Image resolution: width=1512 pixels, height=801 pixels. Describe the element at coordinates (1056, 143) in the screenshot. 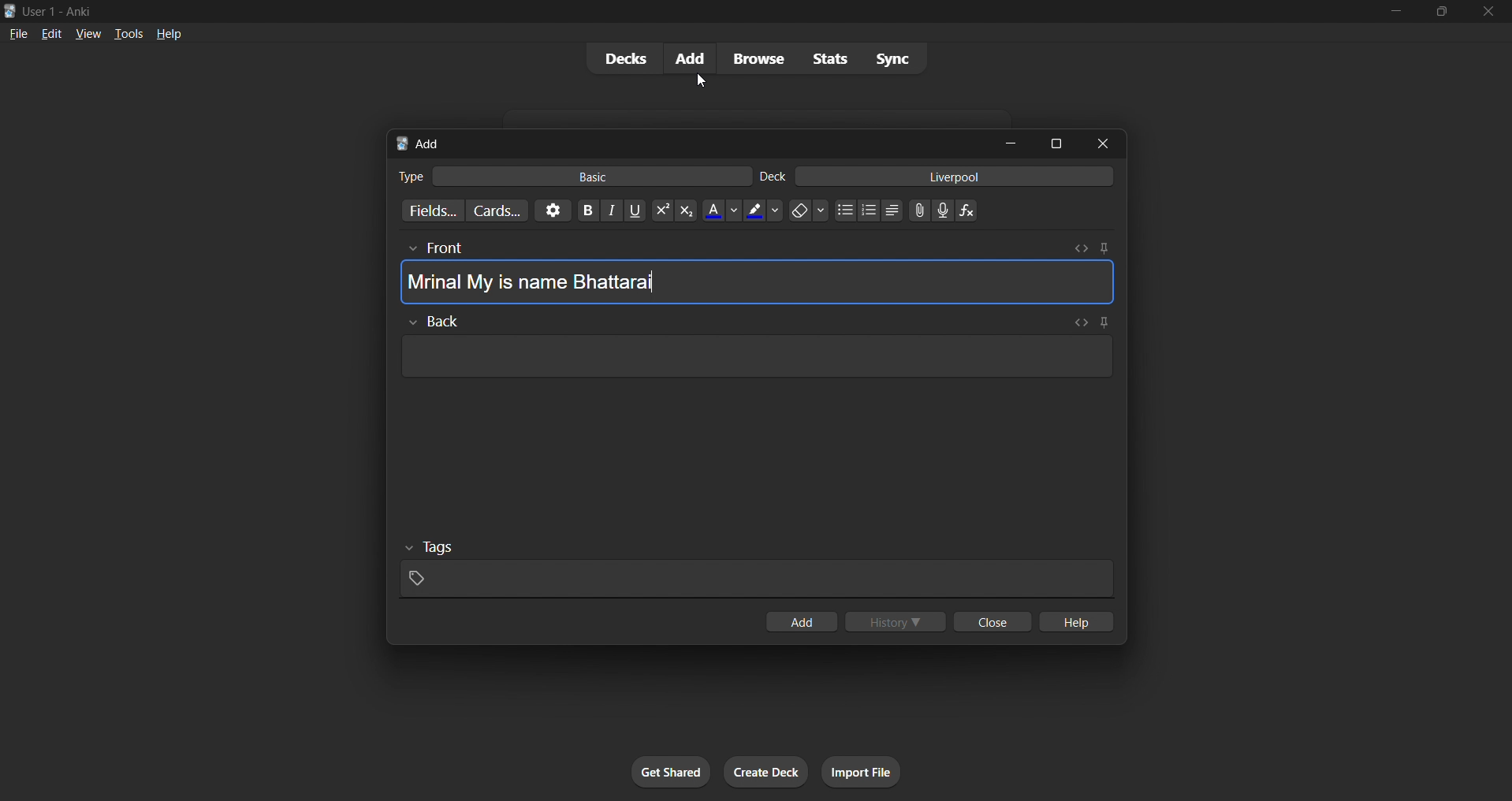

I see `maximize` at that location.